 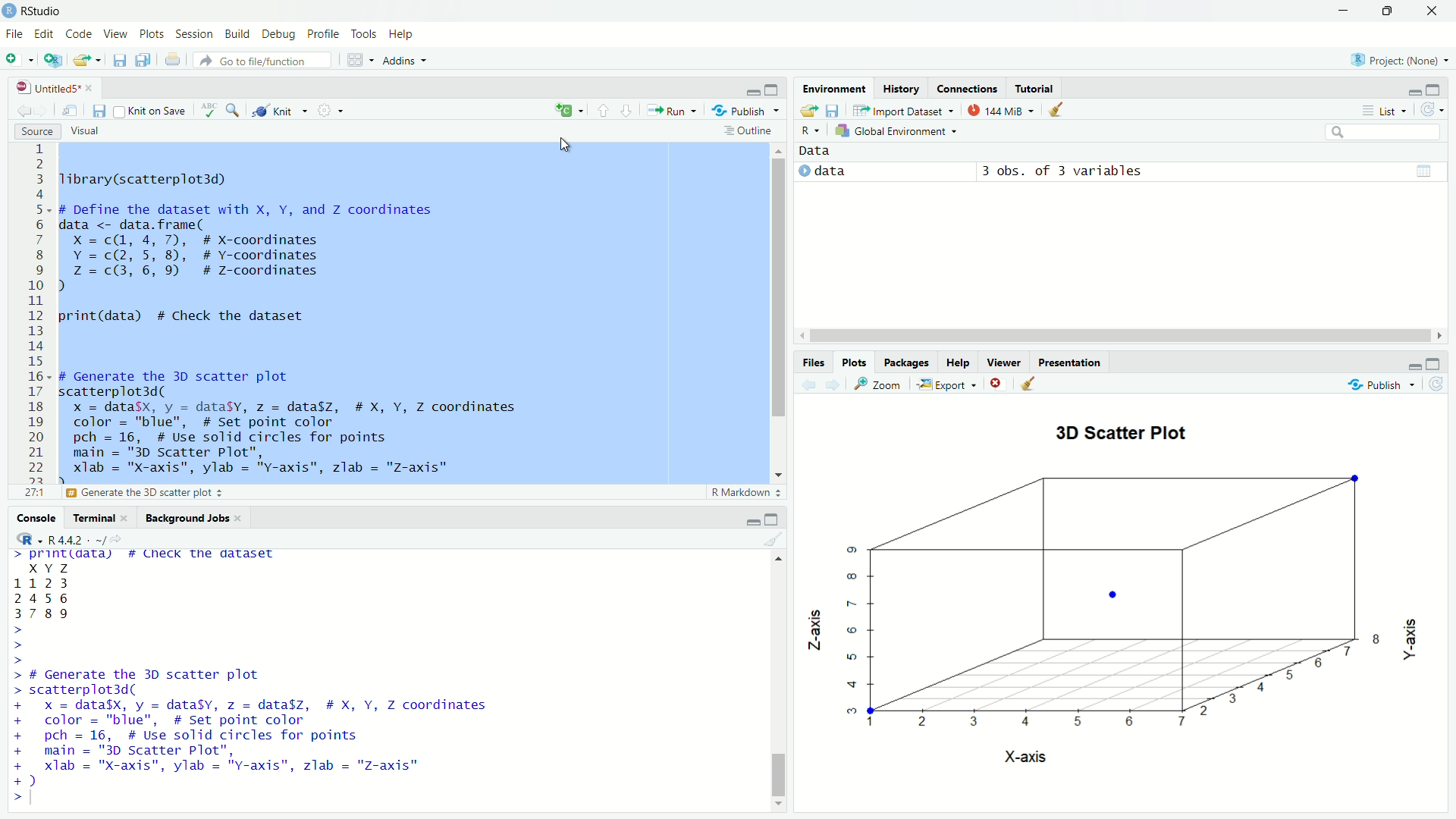 What do you see at coordinates (1028, 755) in the screenshot?
I see `x-axis` at bounding box center [1028, 755].